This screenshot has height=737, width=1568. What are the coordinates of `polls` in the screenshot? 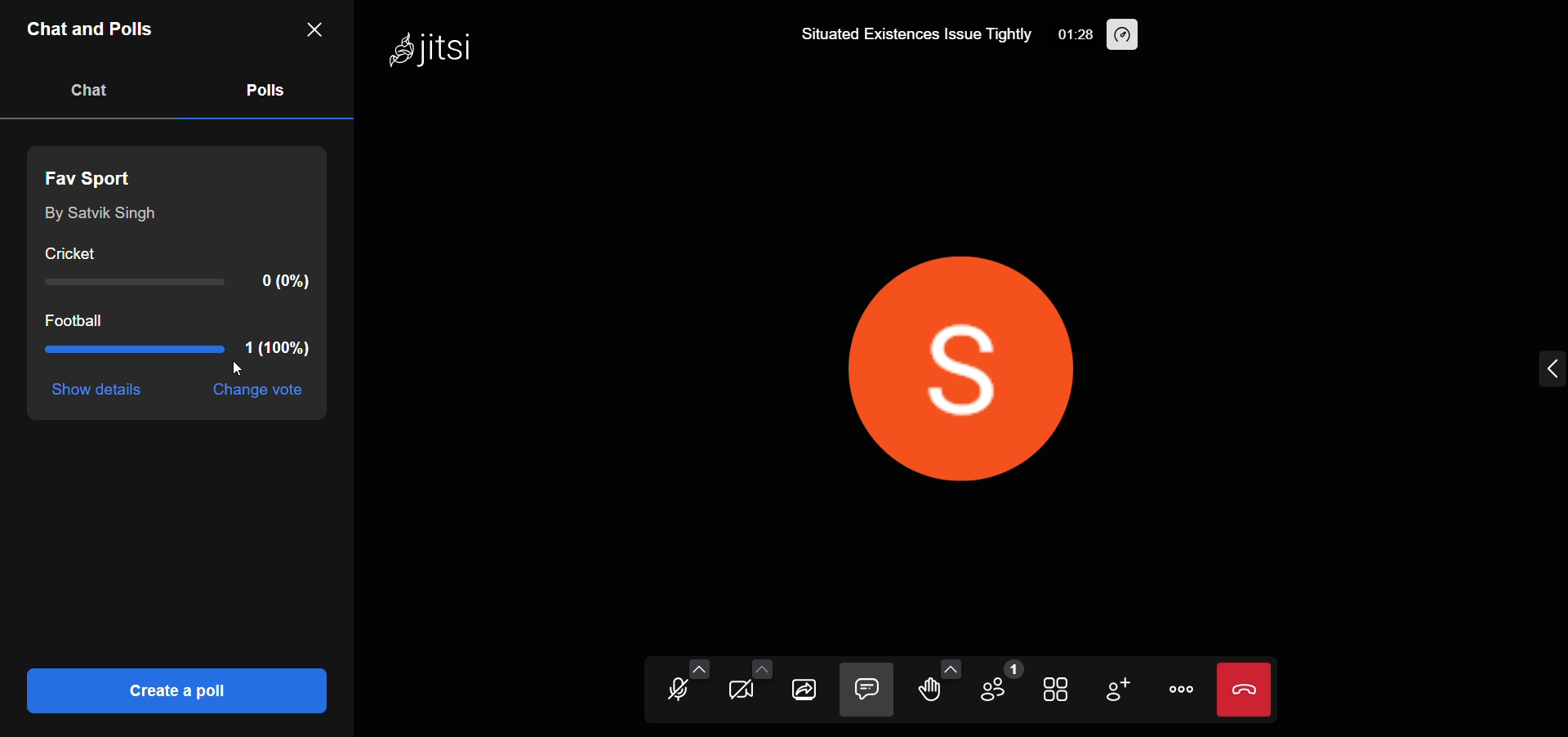 It's located at (266, 91).